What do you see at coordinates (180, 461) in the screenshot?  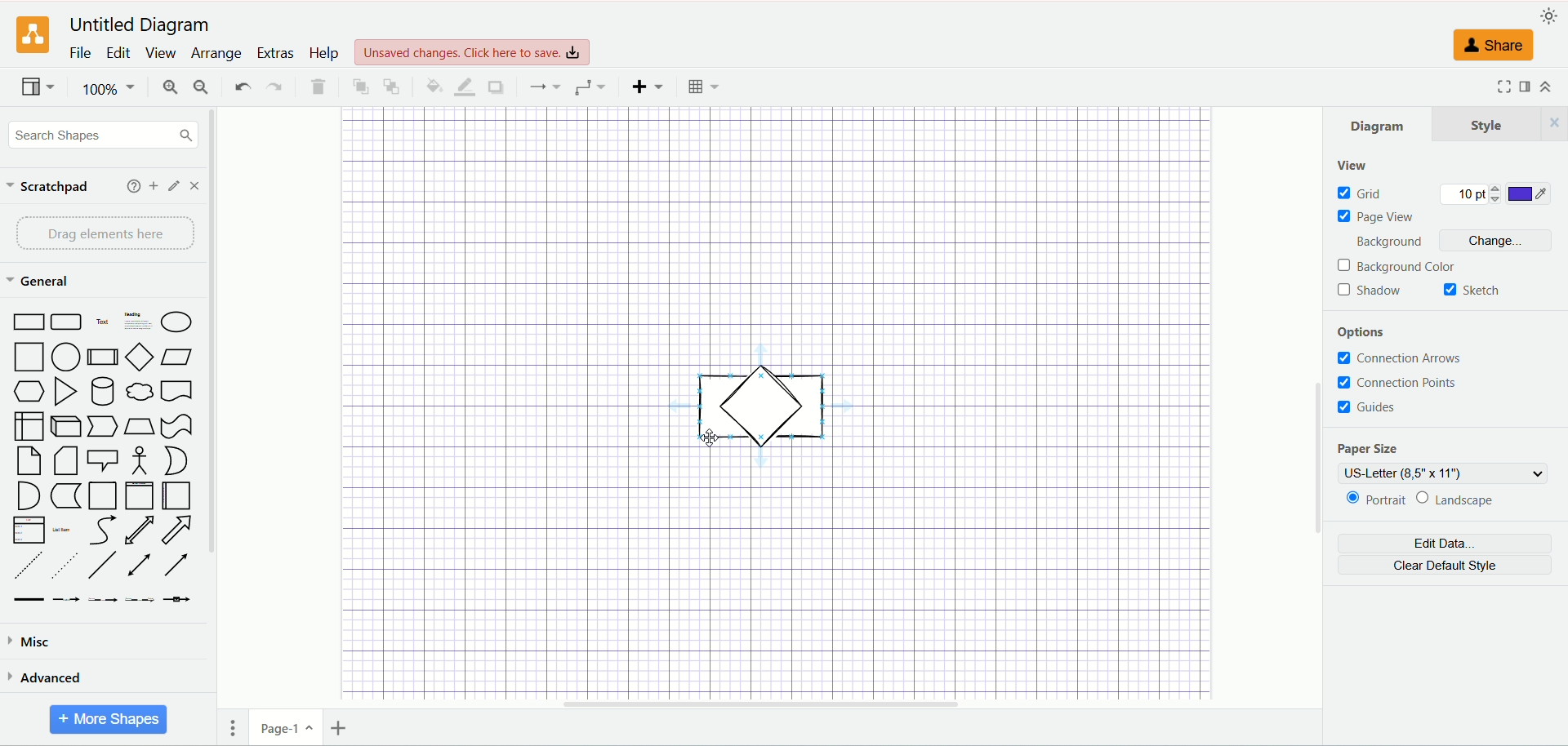 I see `Or` at bounding box center [180, 461].